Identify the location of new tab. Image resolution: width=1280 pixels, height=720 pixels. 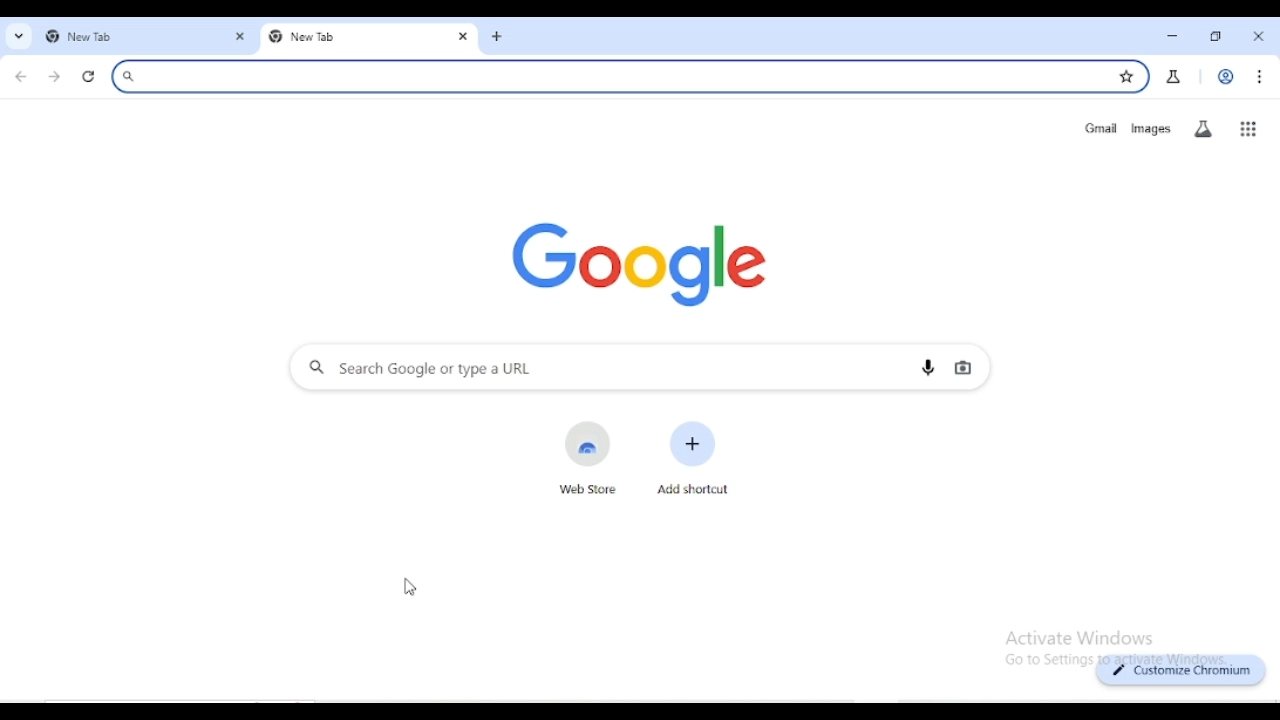
(120, 38).